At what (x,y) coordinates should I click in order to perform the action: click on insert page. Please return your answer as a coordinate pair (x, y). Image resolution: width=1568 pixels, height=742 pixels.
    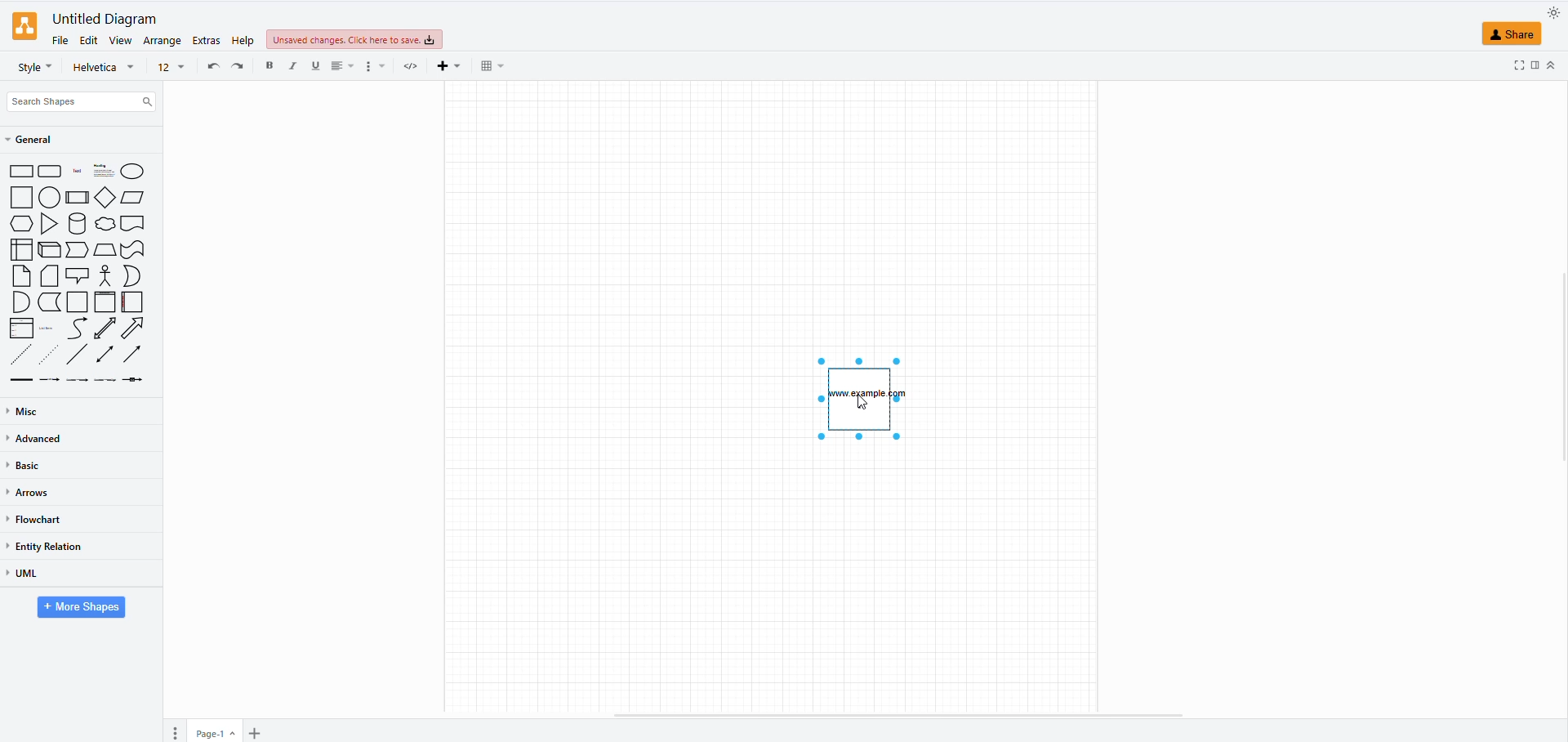
    Looking at the image, I should click on (253, 733).